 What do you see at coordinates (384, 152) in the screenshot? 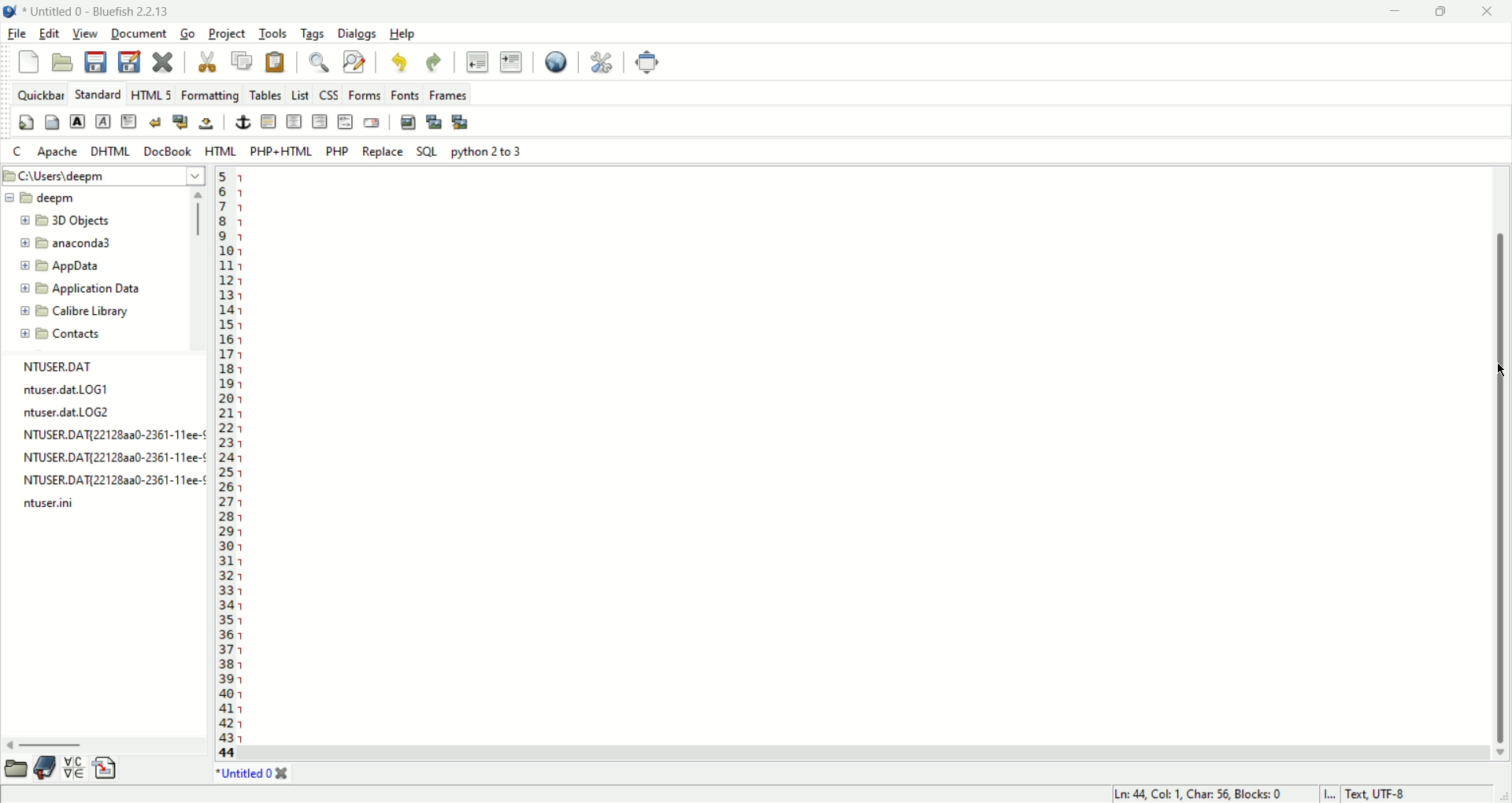
I see `Replace` at bounding box center [384, 152].